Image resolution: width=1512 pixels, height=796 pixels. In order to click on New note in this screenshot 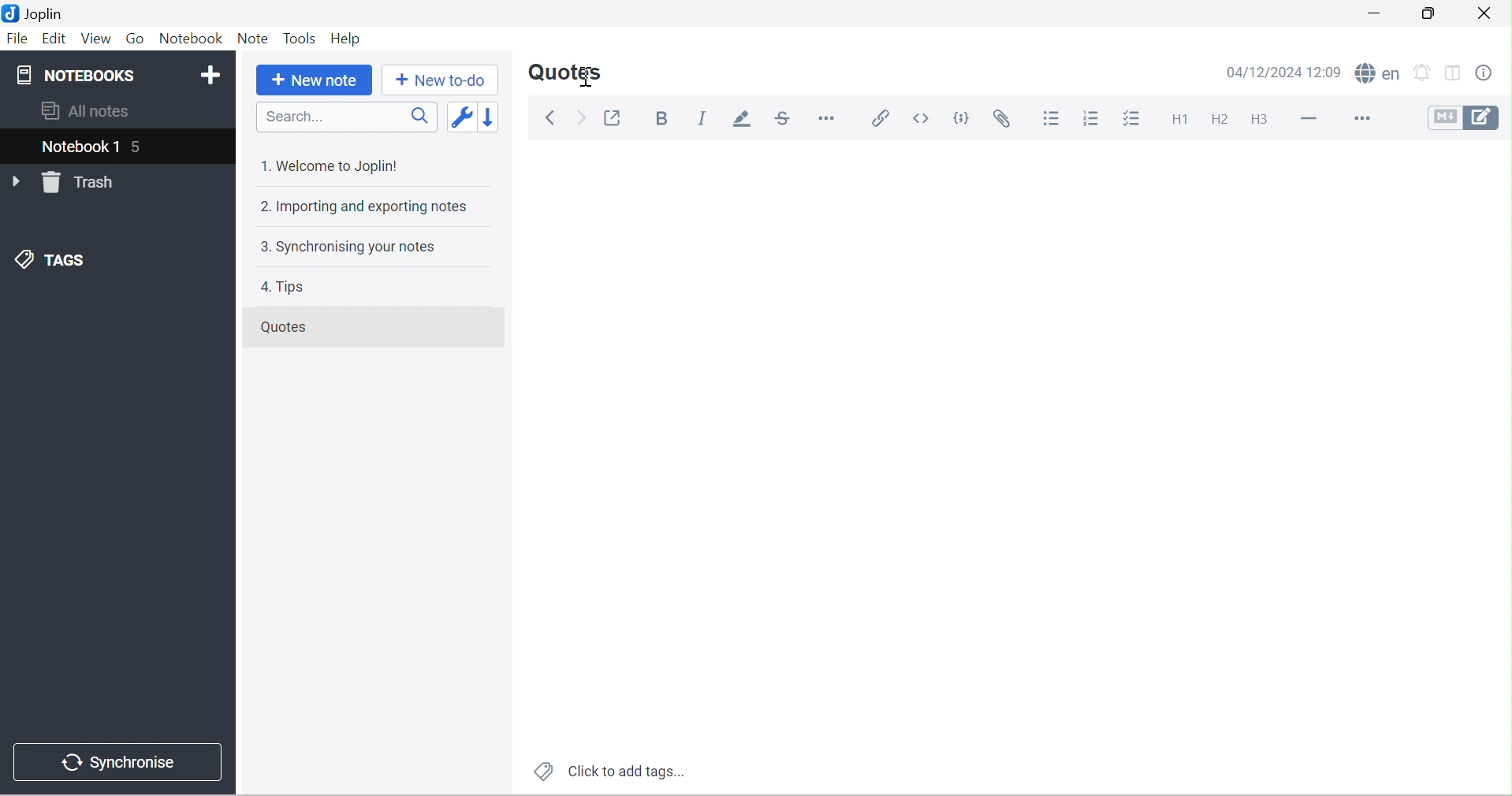, I will do `click(312, 83)`.